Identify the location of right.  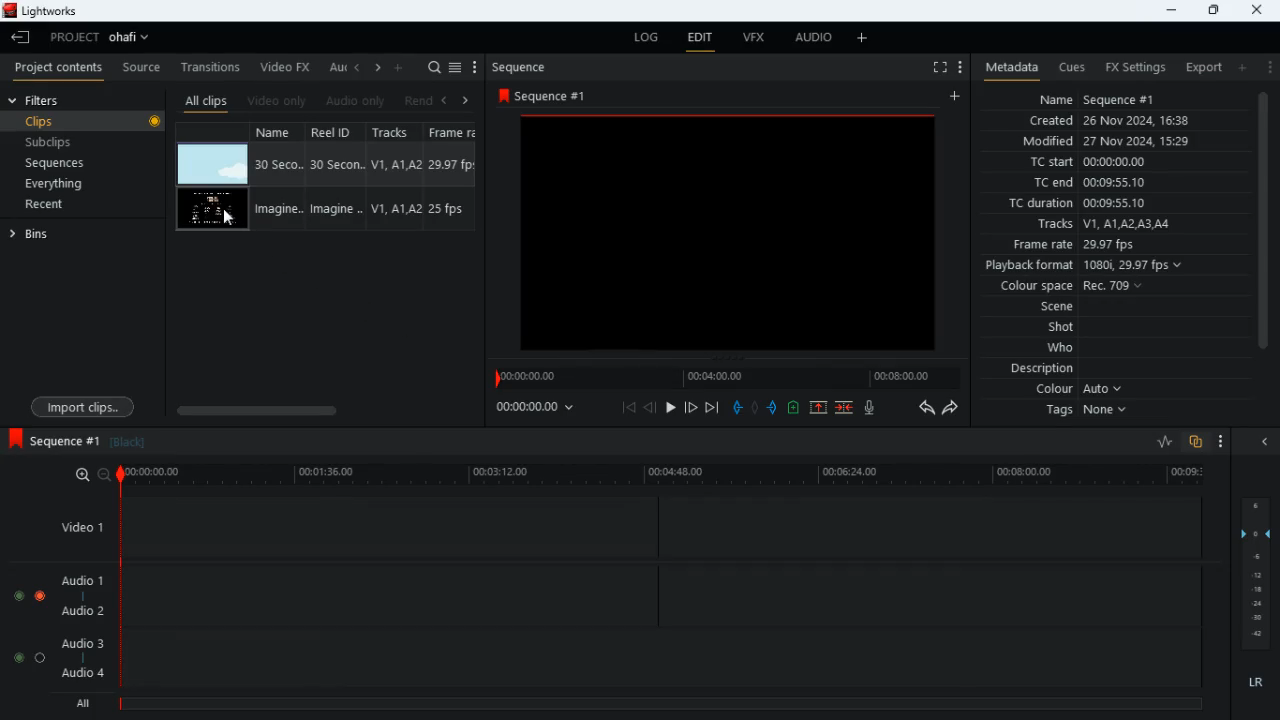
(378, 69).